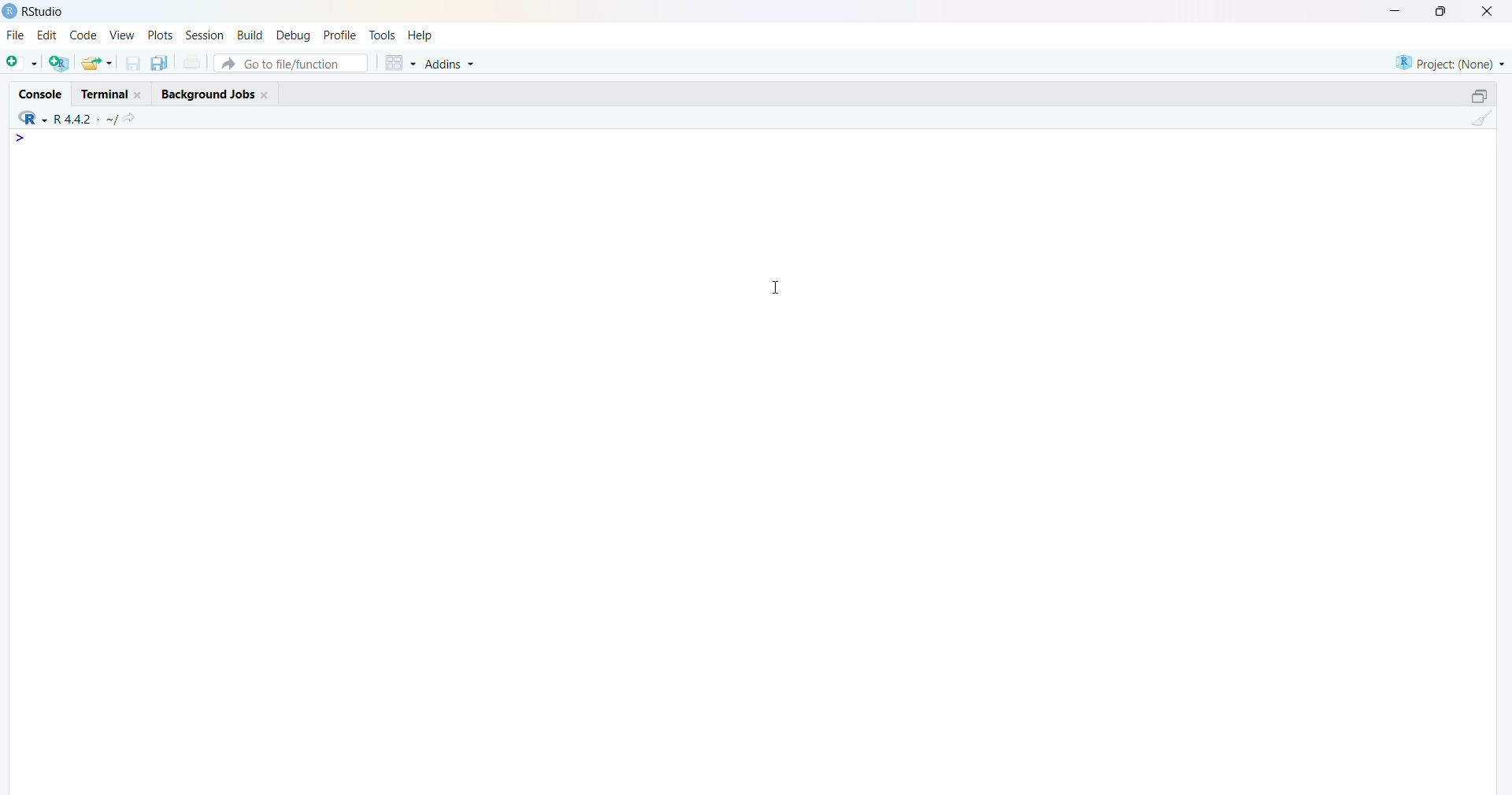 This screenshot has width=1512, height=795. I want to click on build, so click(252, 35).